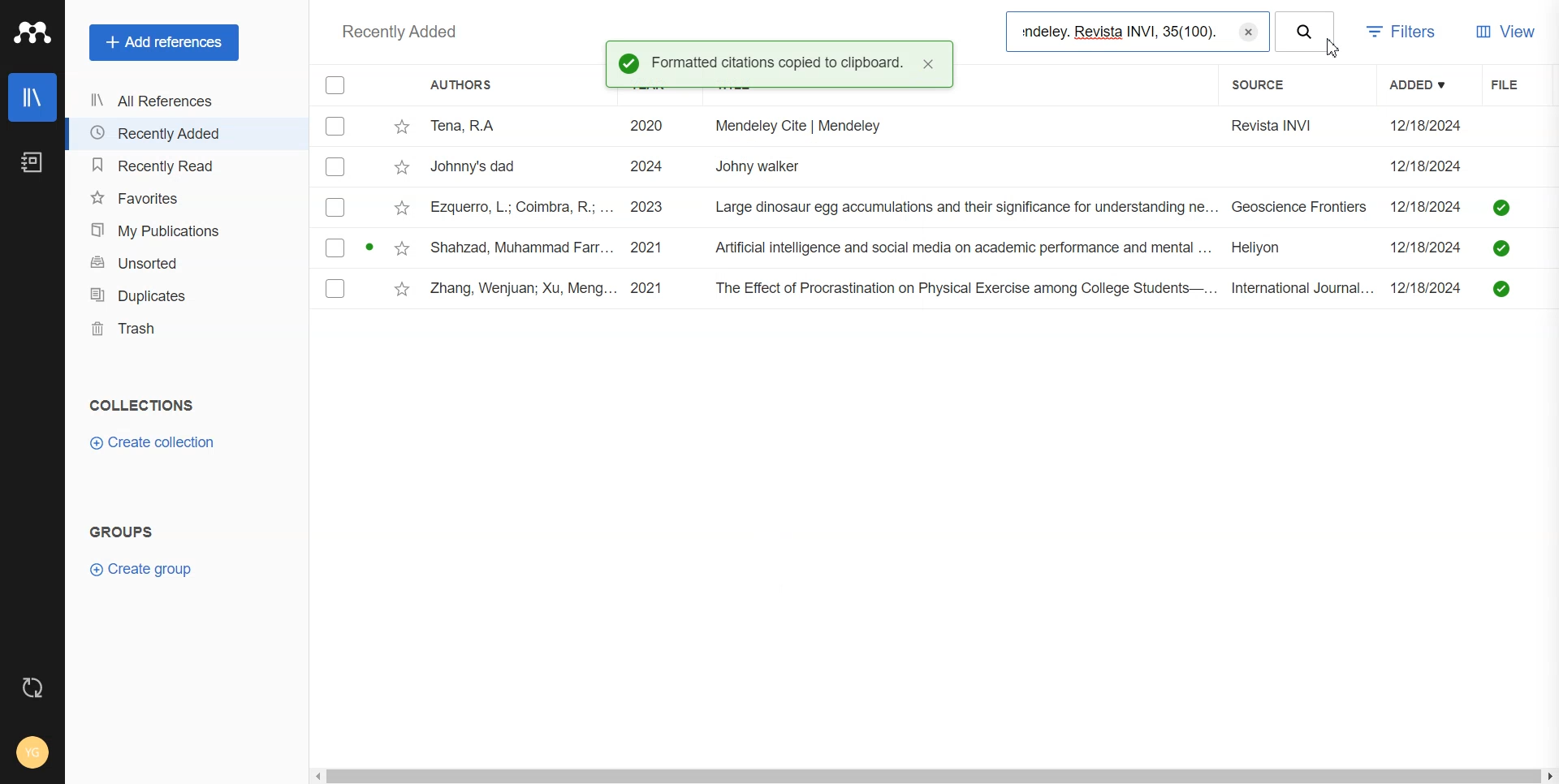 The image size is (1559, 784). Describe the element at coordinates (401, 247) in the screenshot. I see `Star` at that location.